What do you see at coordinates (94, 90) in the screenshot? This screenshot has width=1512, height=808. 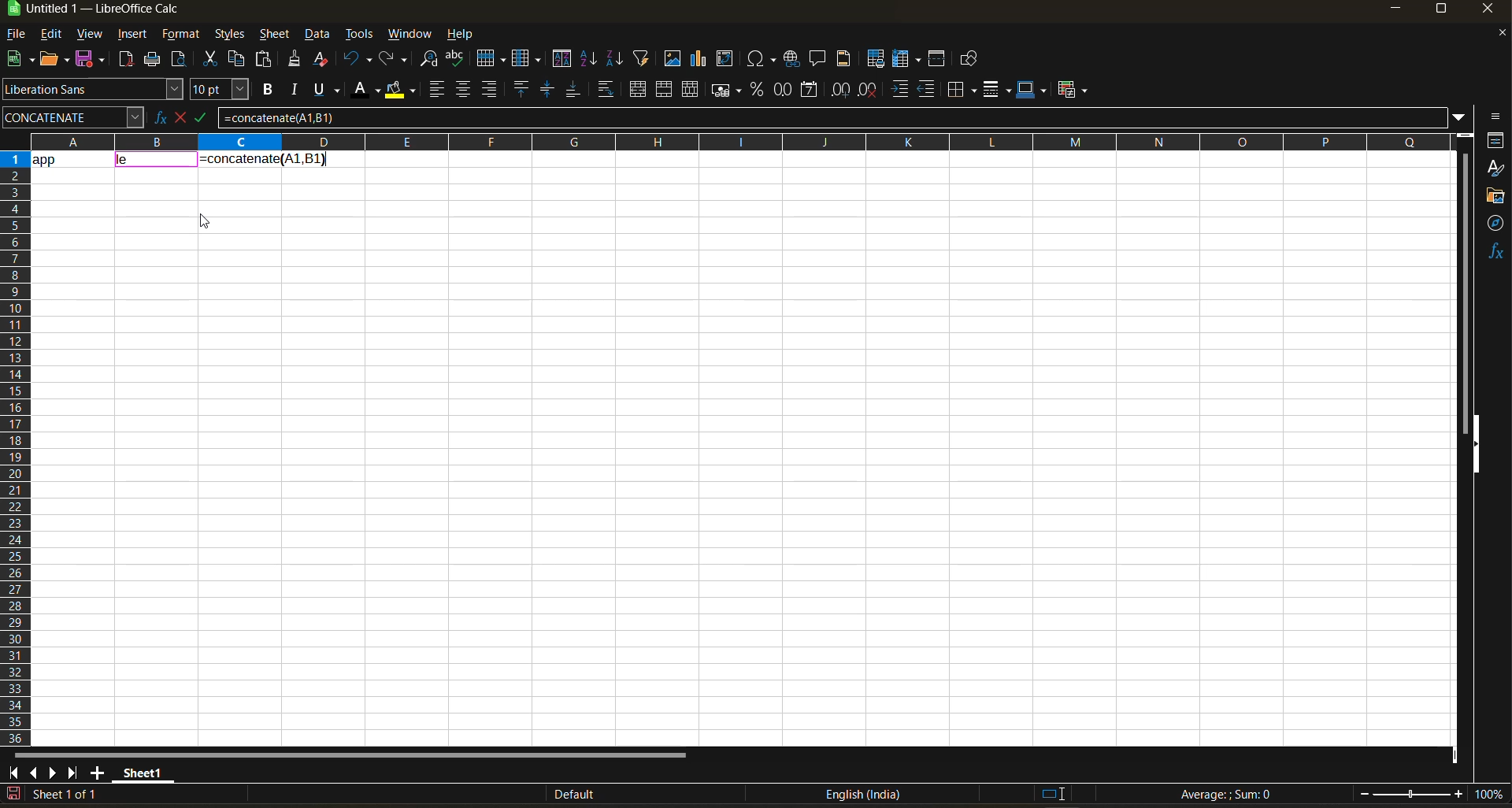 I see `font name` at bounding box center [94, 90].